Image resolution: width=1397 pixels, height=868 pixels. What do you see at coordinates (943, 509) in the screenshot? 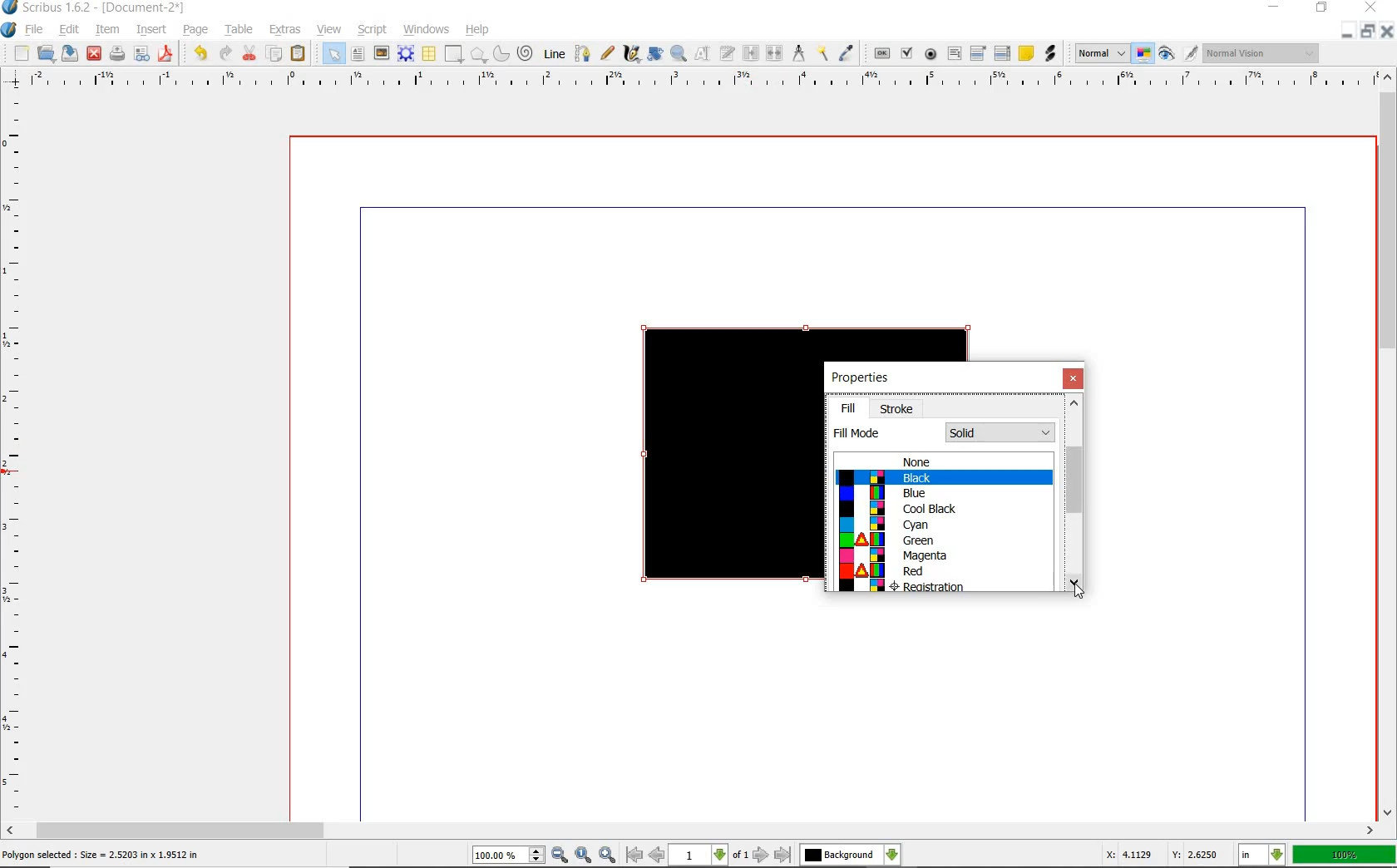
I see `Cool Black` at bounding box center [943, 509].